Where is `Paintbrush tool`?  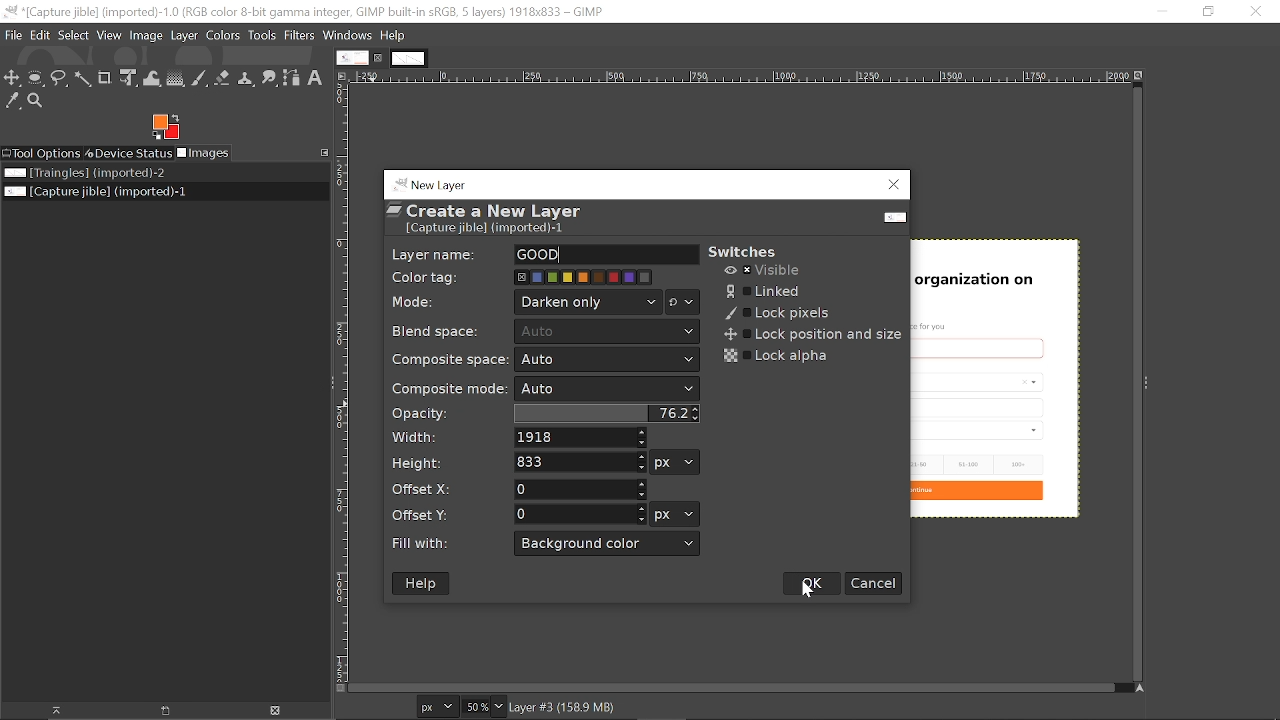
Paintbrush tool is located at coordinates (199, 79).